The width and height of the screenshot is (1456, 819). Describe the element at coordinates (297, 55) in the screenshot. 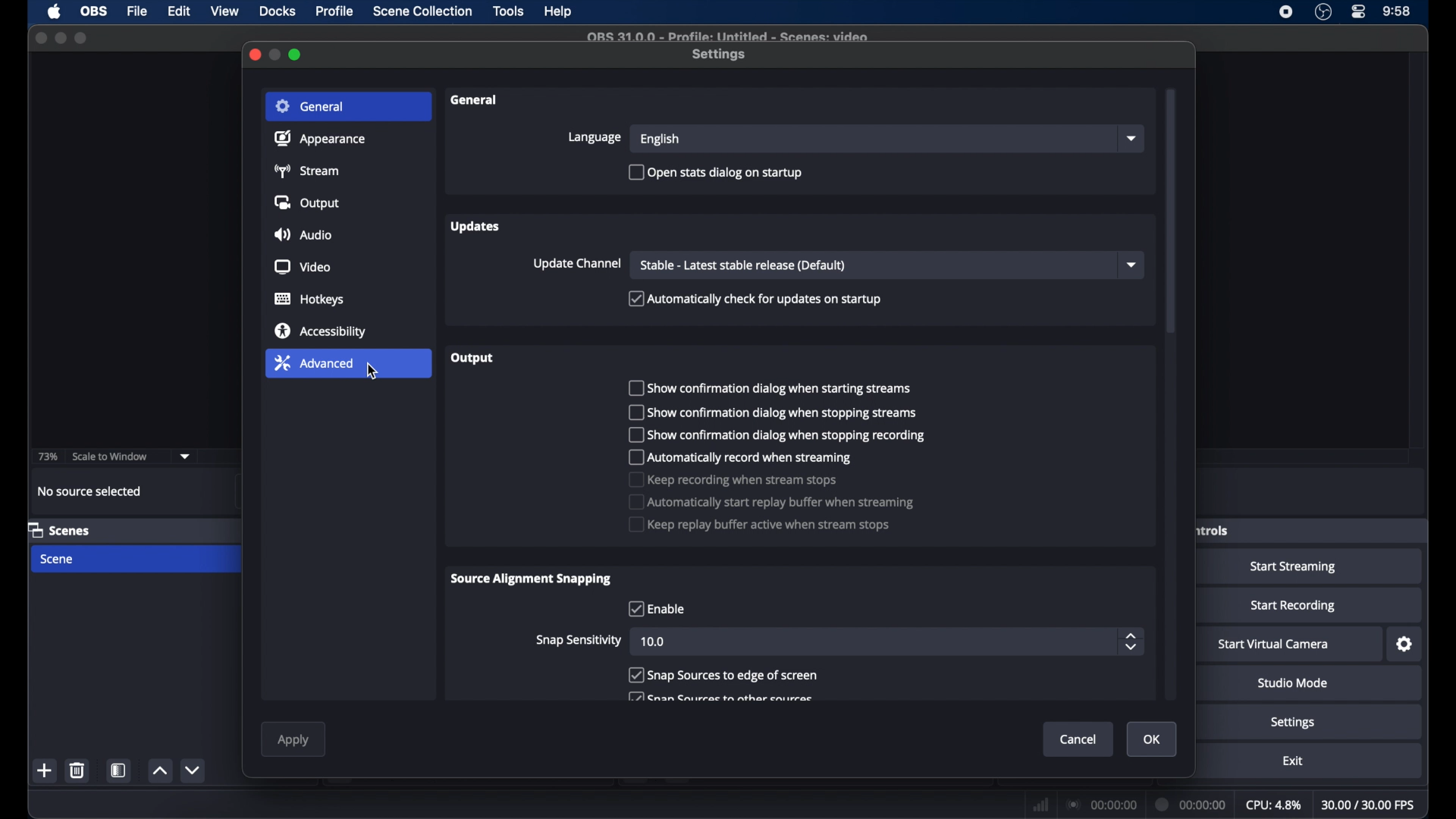

I see `maximize` at that location.